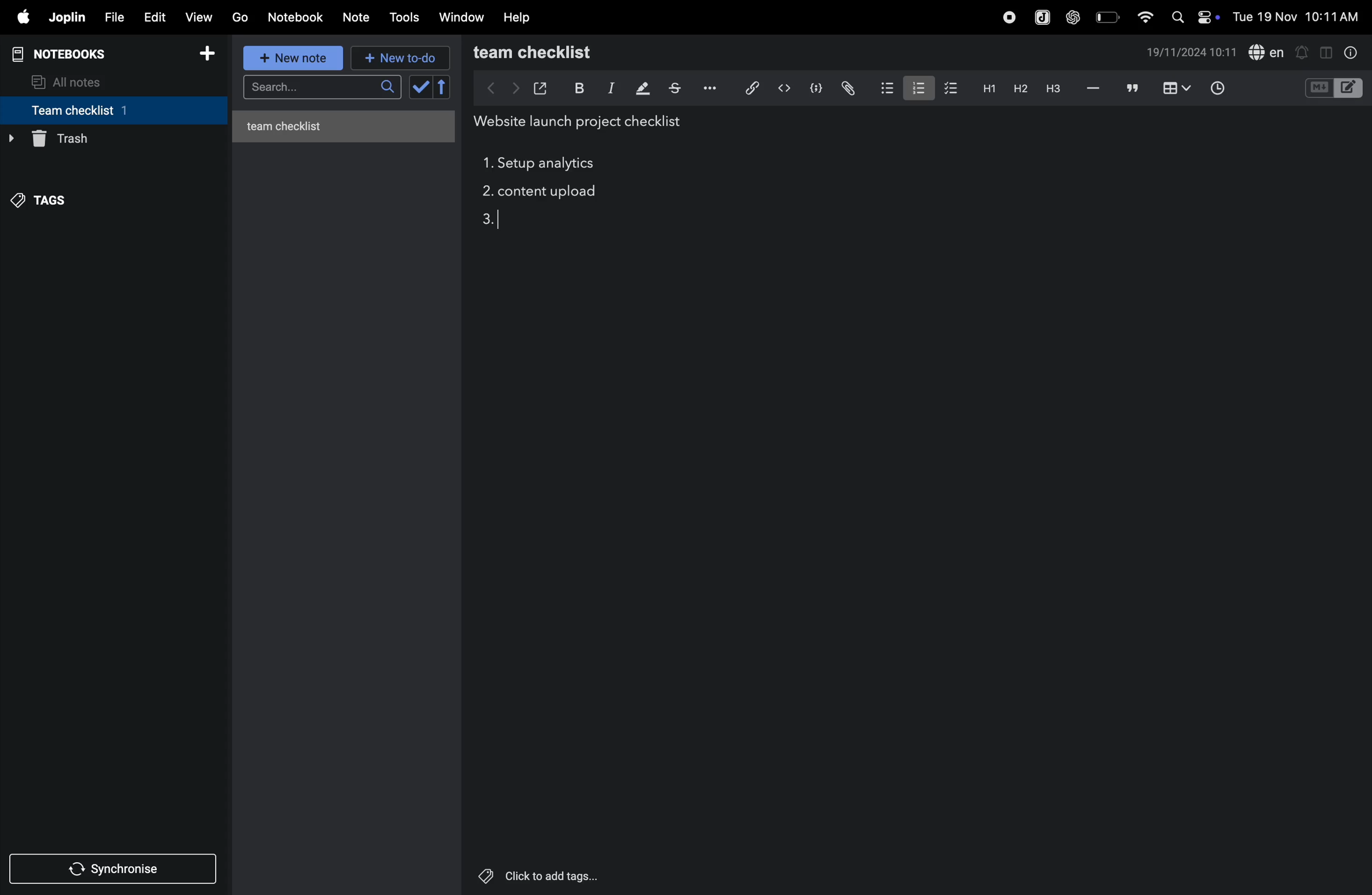 The width and height of the screenshot is (1372, 895). What do you see at coordinates (551, 164) in the screenshot?
I see `setup analytics` at bounding box center [551, 164].